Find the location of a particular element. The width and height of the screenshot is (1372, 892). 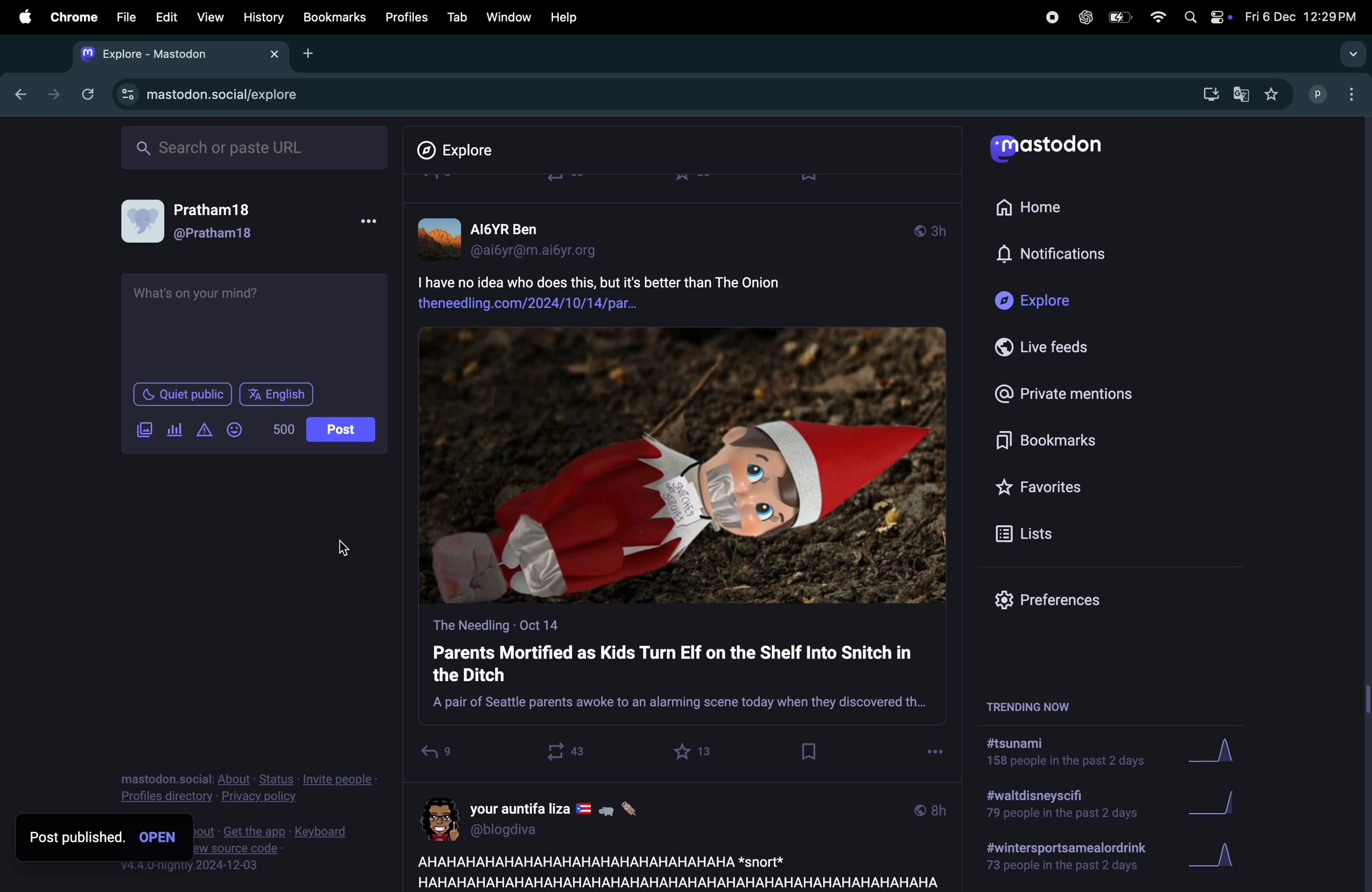

poll is located at coordinates (172, 430).